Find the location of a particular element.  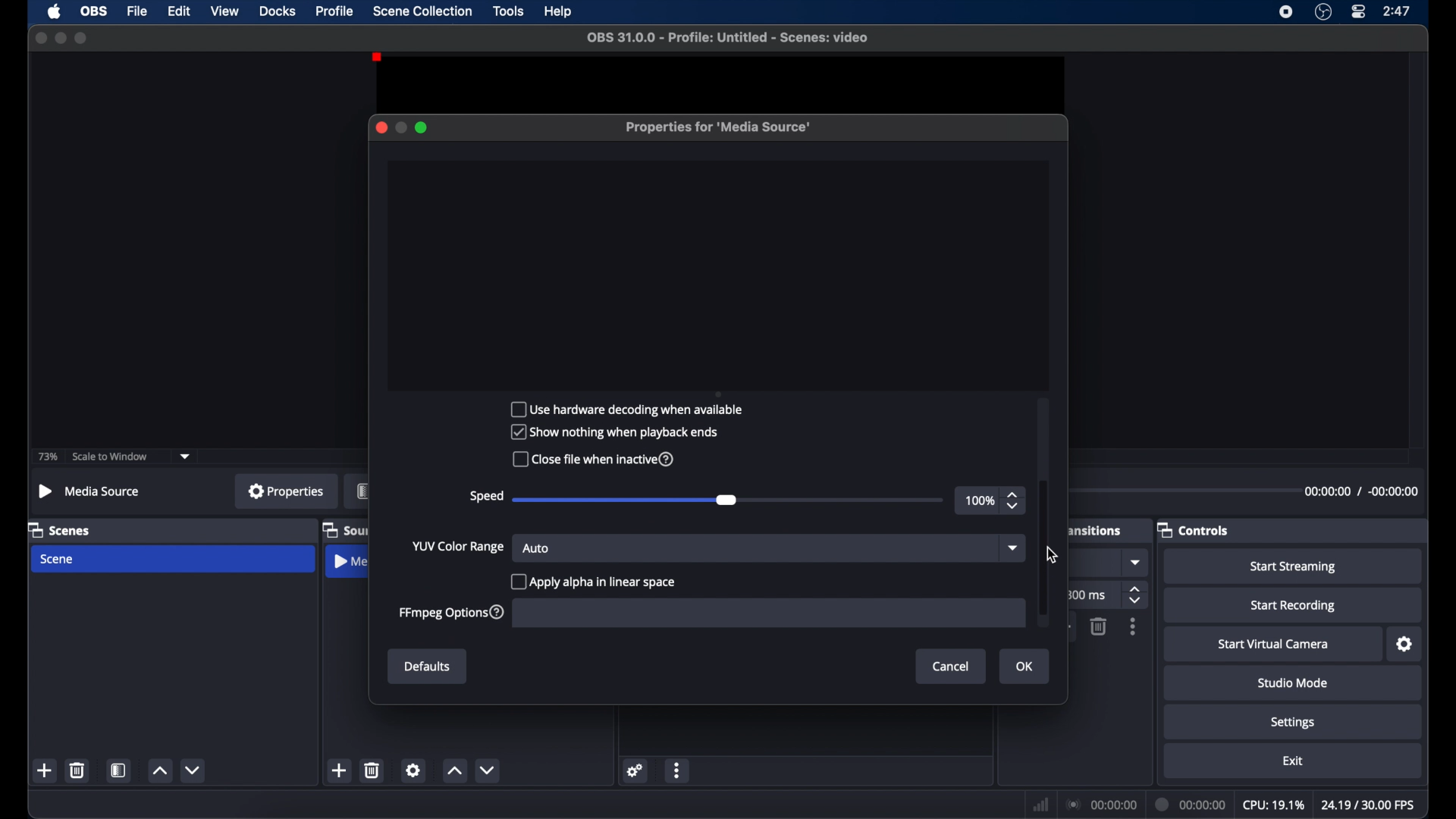

settings is located at coordinates (636, 770).